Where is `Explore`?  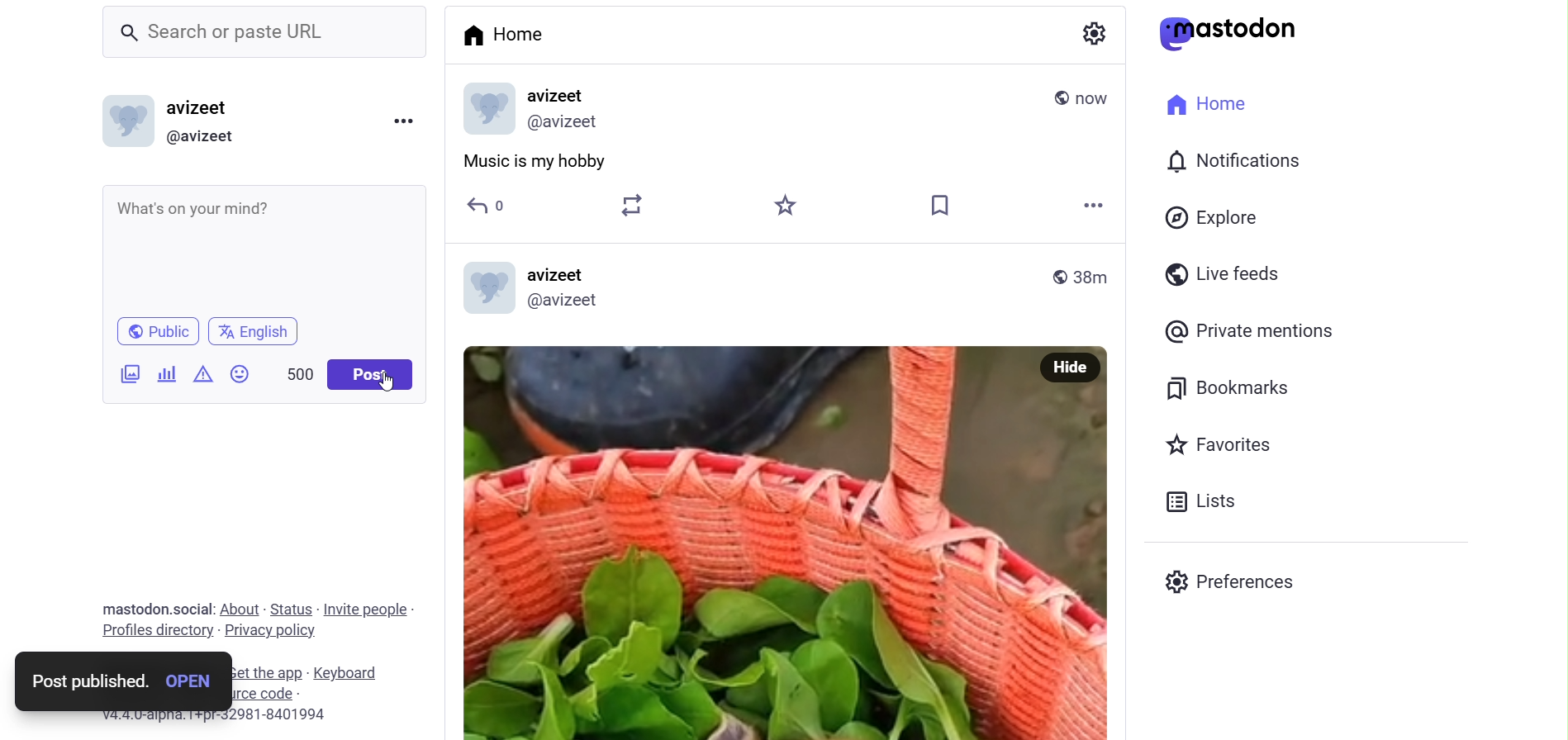 Explore is located at coordinates (1215, 219).